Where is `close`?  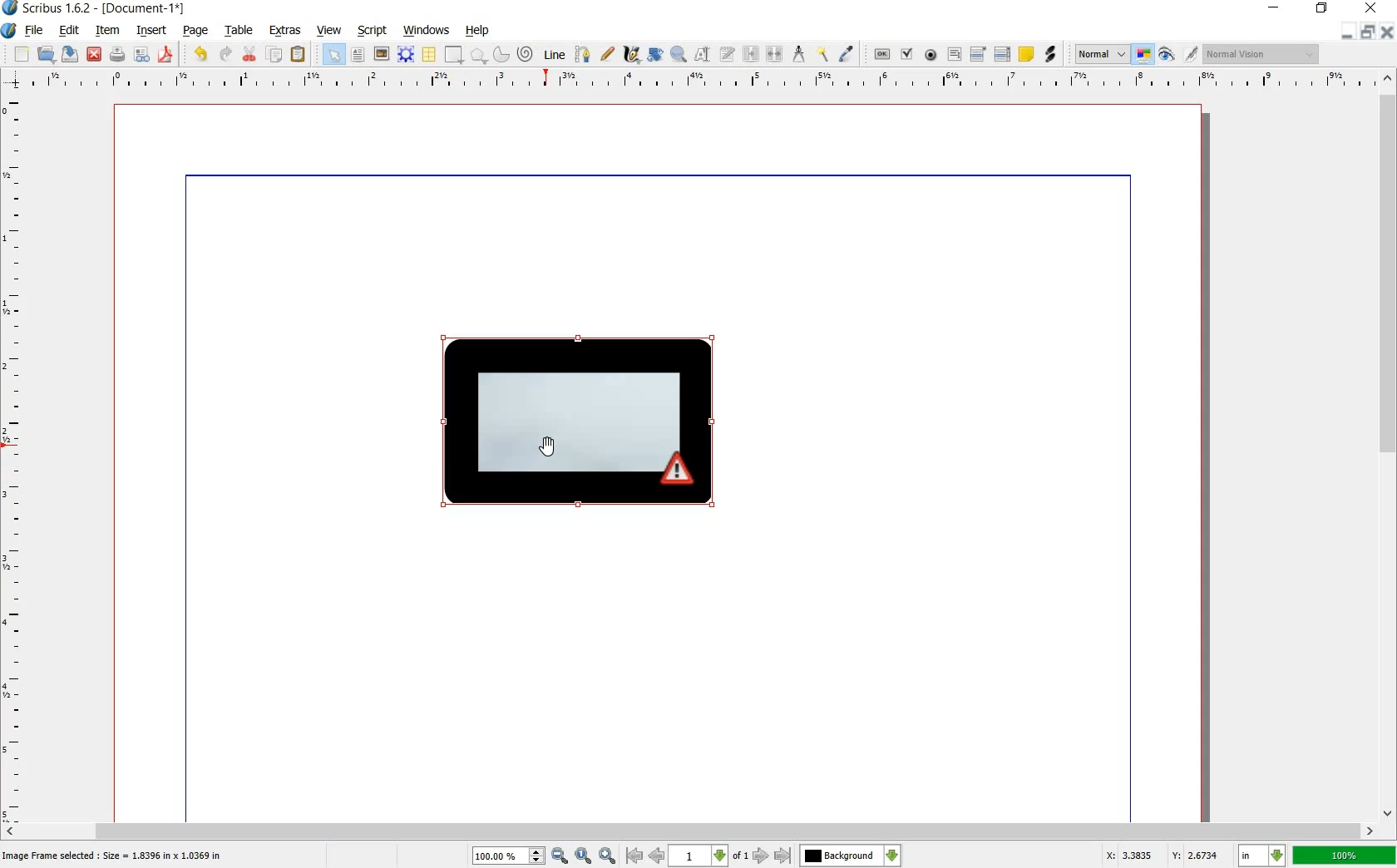
close is located at coordinates (95, 53).